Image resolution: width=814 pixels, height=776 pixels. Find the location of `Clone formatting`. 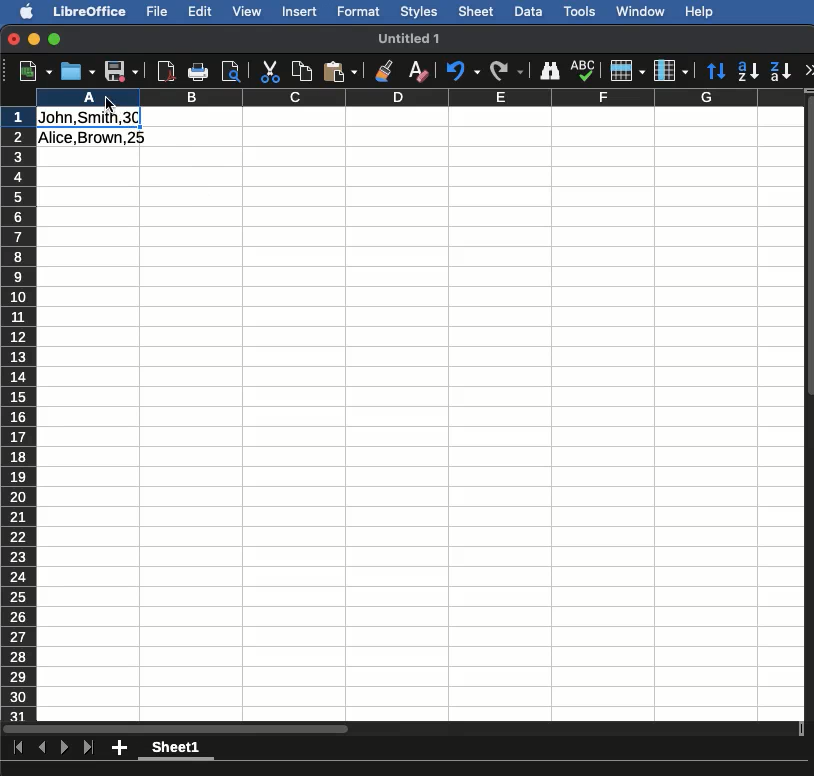

Clone formatting is located at coordinates (385, 73).